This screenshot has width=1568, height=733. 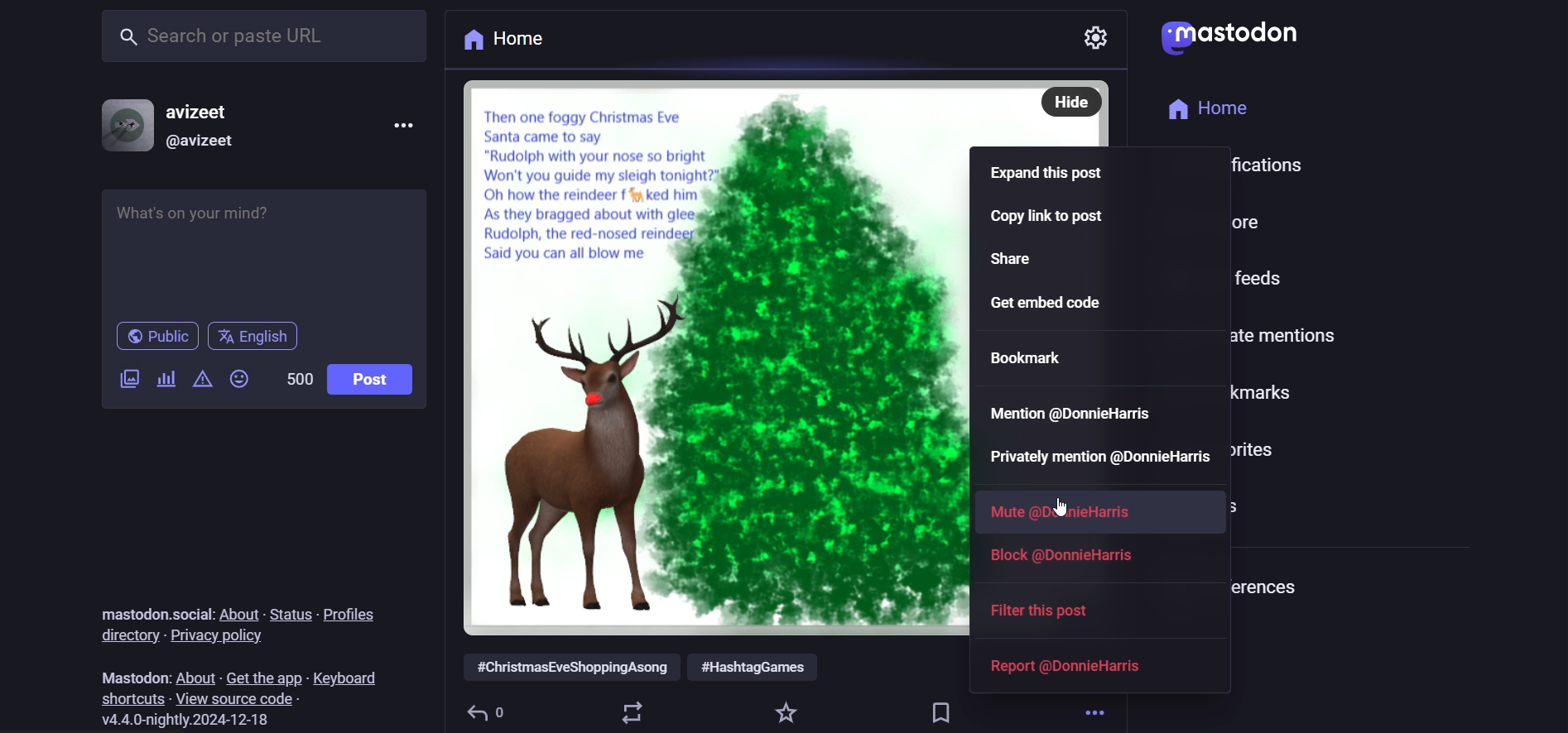 I want to click on privacy policy, so click(x=220, y=637).